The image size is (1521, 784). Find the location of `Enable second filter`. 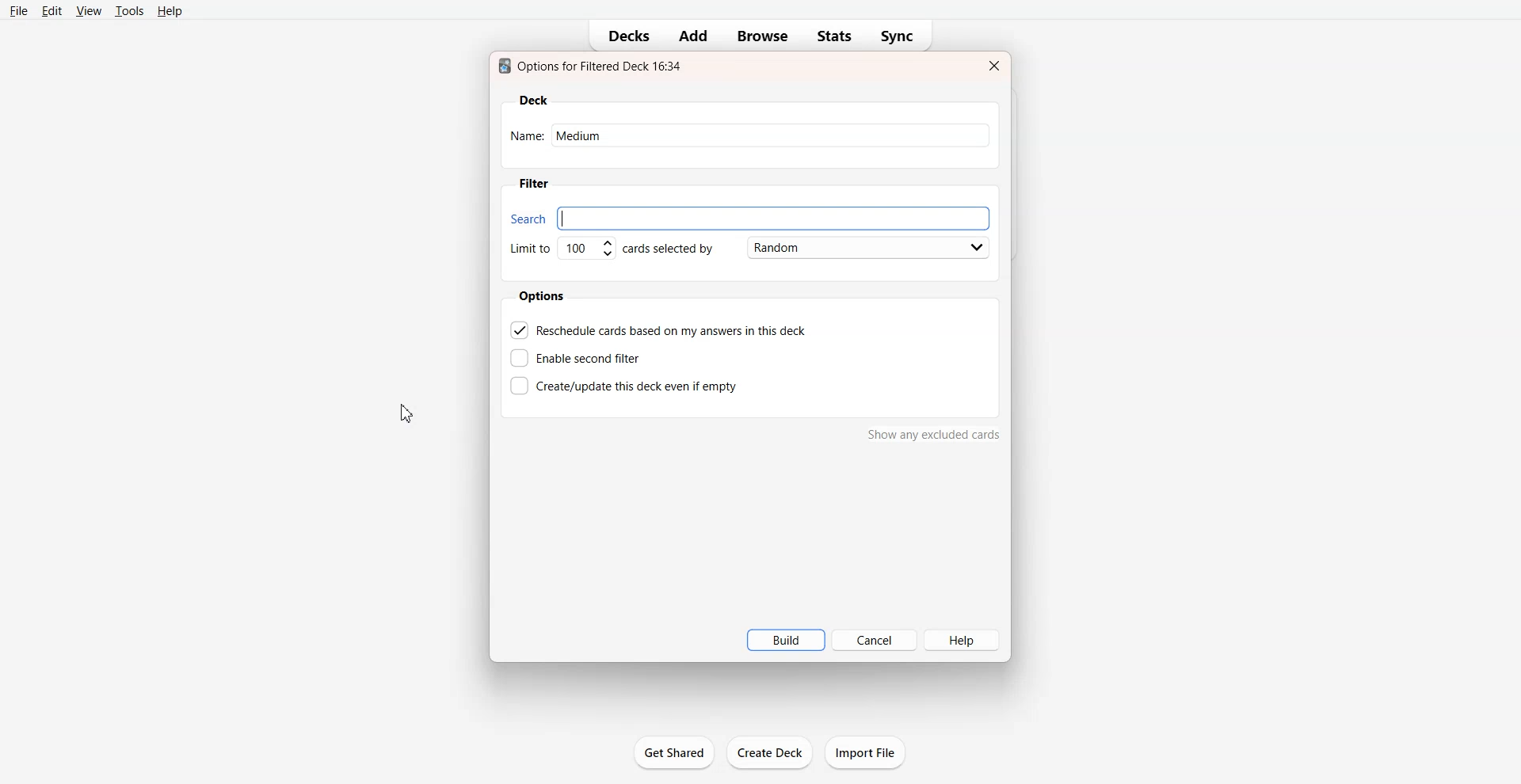

Enable second filter is located at coordinates (581, 358).